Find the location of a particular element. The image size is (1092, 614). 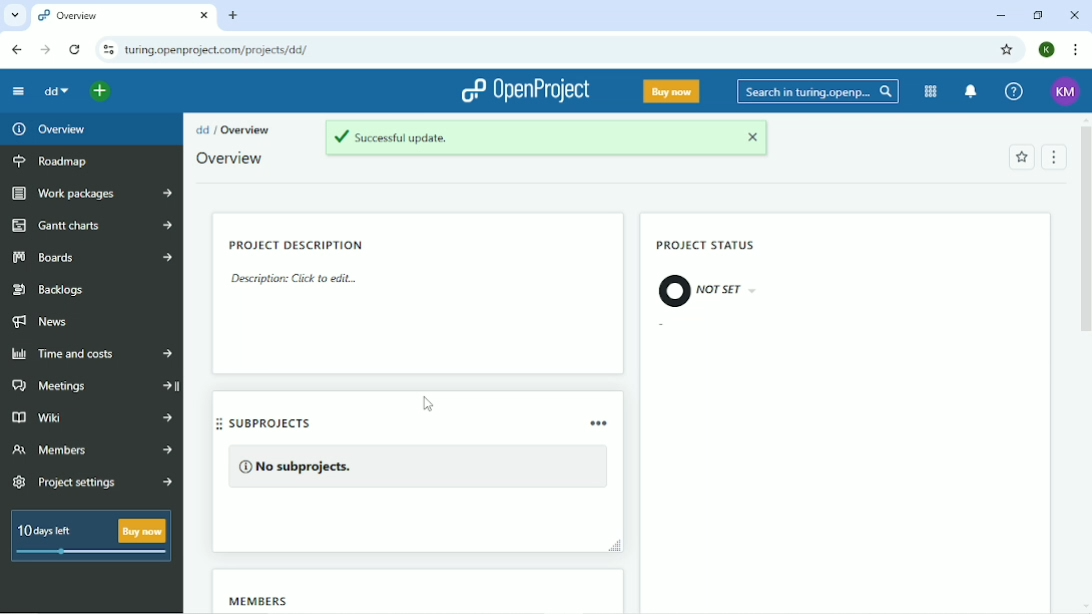

dd is located at coordinates (202, 130).